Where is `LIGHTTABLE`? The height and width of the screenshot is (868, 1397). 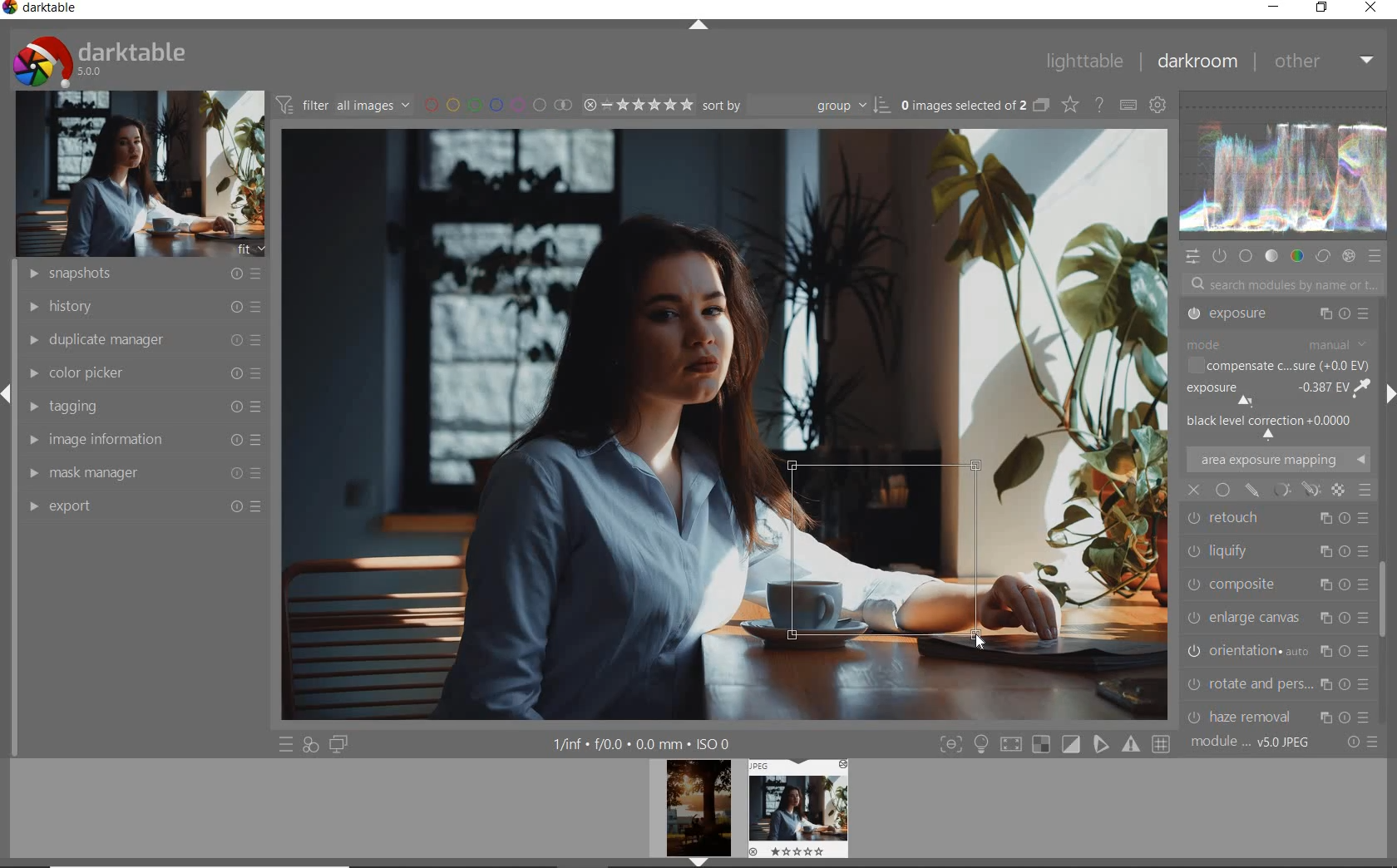
LIGHTTABLE is located at coordinates (1085, 62).